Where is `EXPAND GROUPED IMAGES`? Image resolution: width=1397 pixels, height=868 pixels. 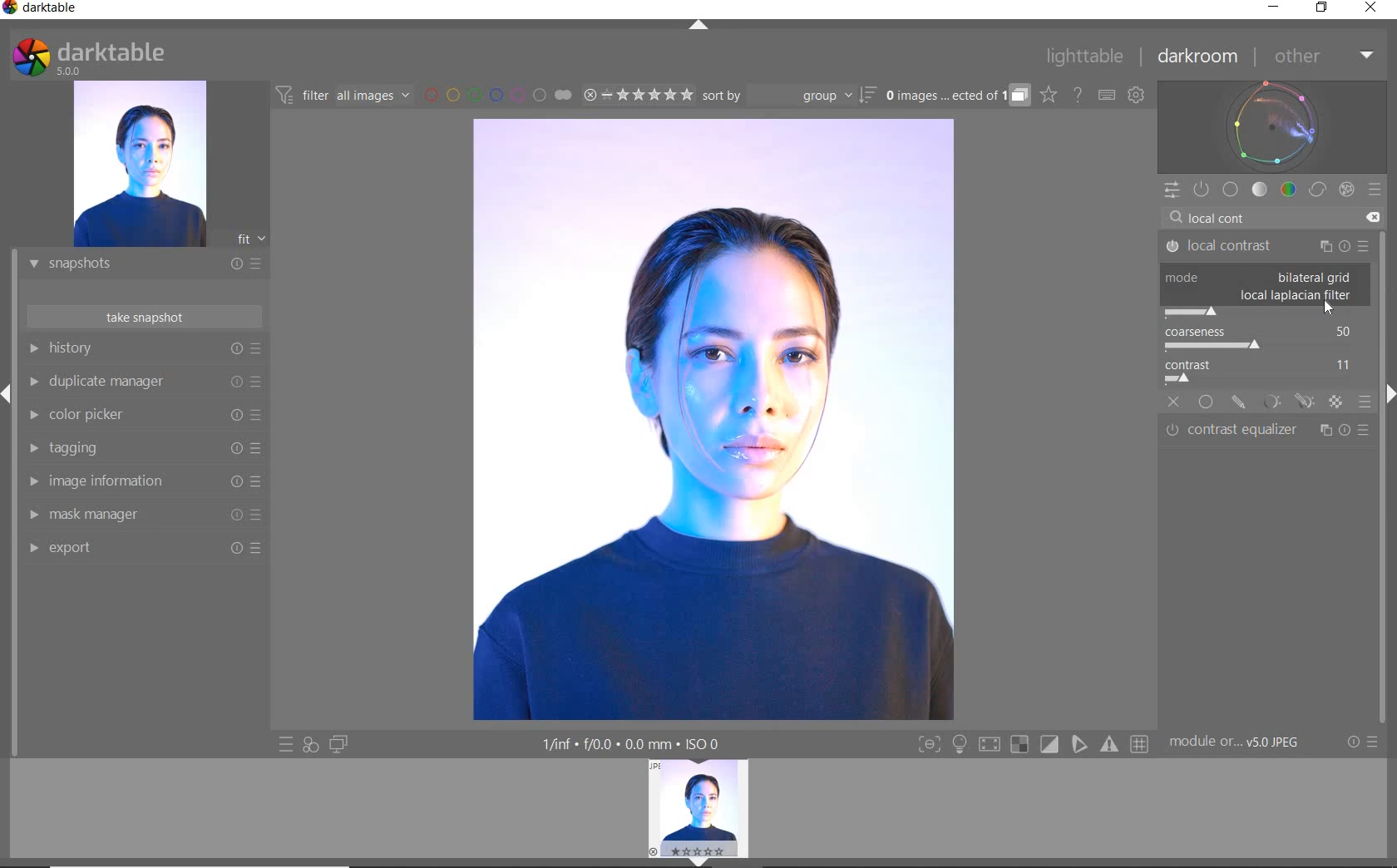 EXPAND GROUPED IMAGES is located at coordinates (957, 96).